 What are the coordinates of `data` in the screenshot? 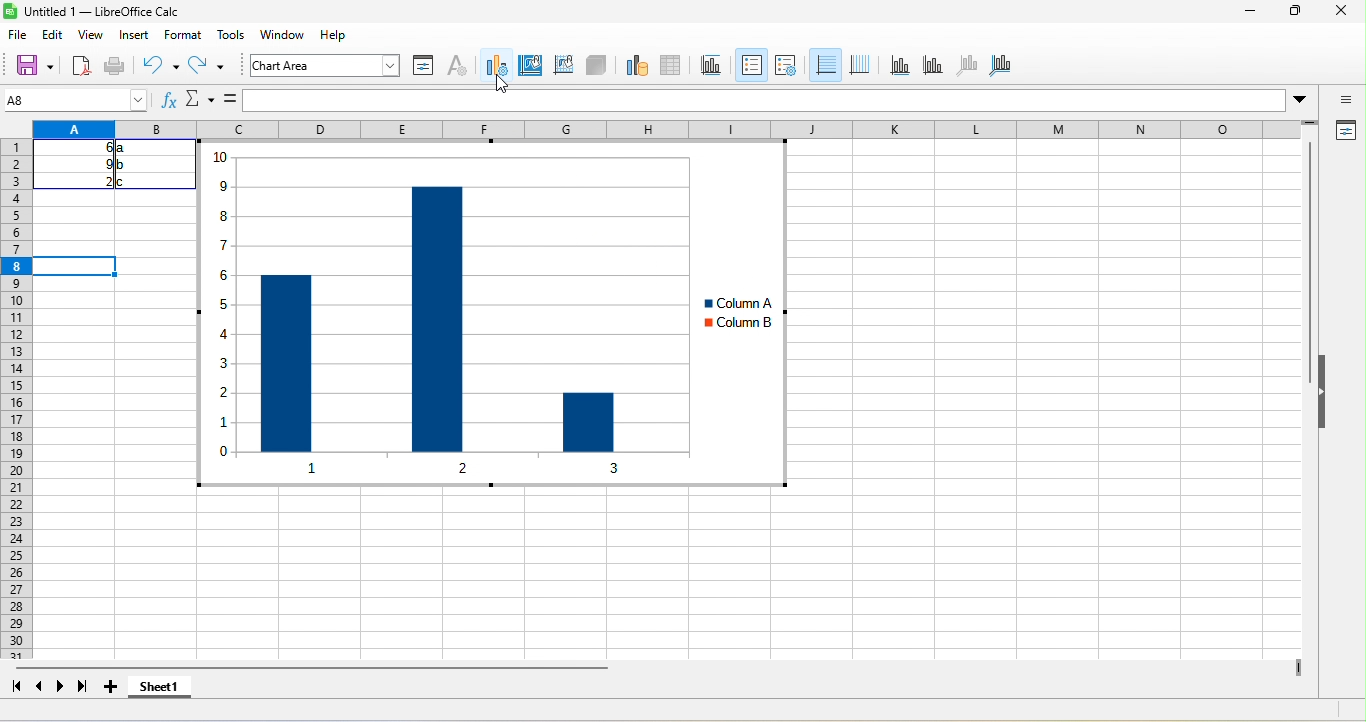 It's located at (323, 34).